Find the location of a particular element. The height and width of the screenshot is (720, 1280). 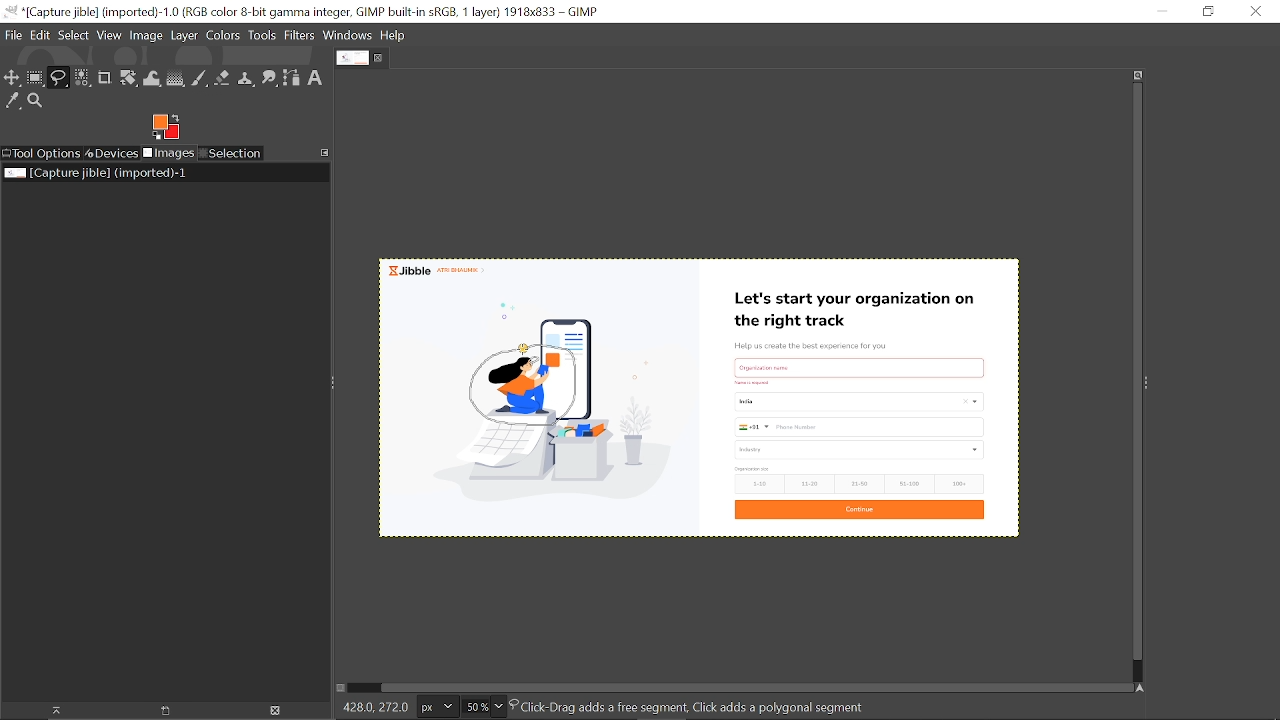

Sidebar menu is located at coordinates (1151, 381).